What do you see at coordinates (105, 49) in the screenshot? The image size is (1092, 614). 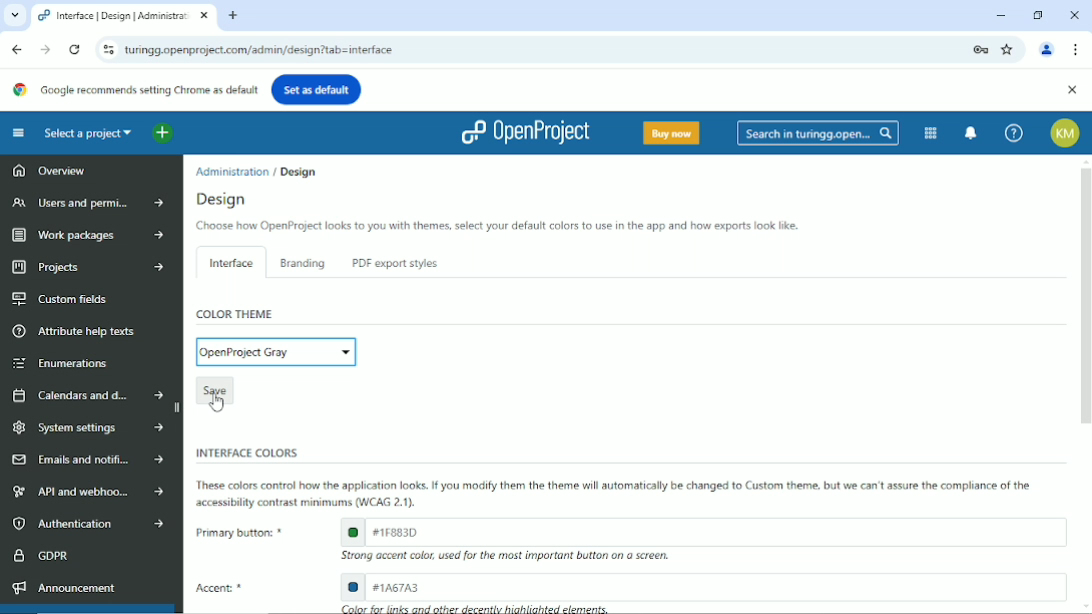 I see `View site information` at bounding box center [105, 49].